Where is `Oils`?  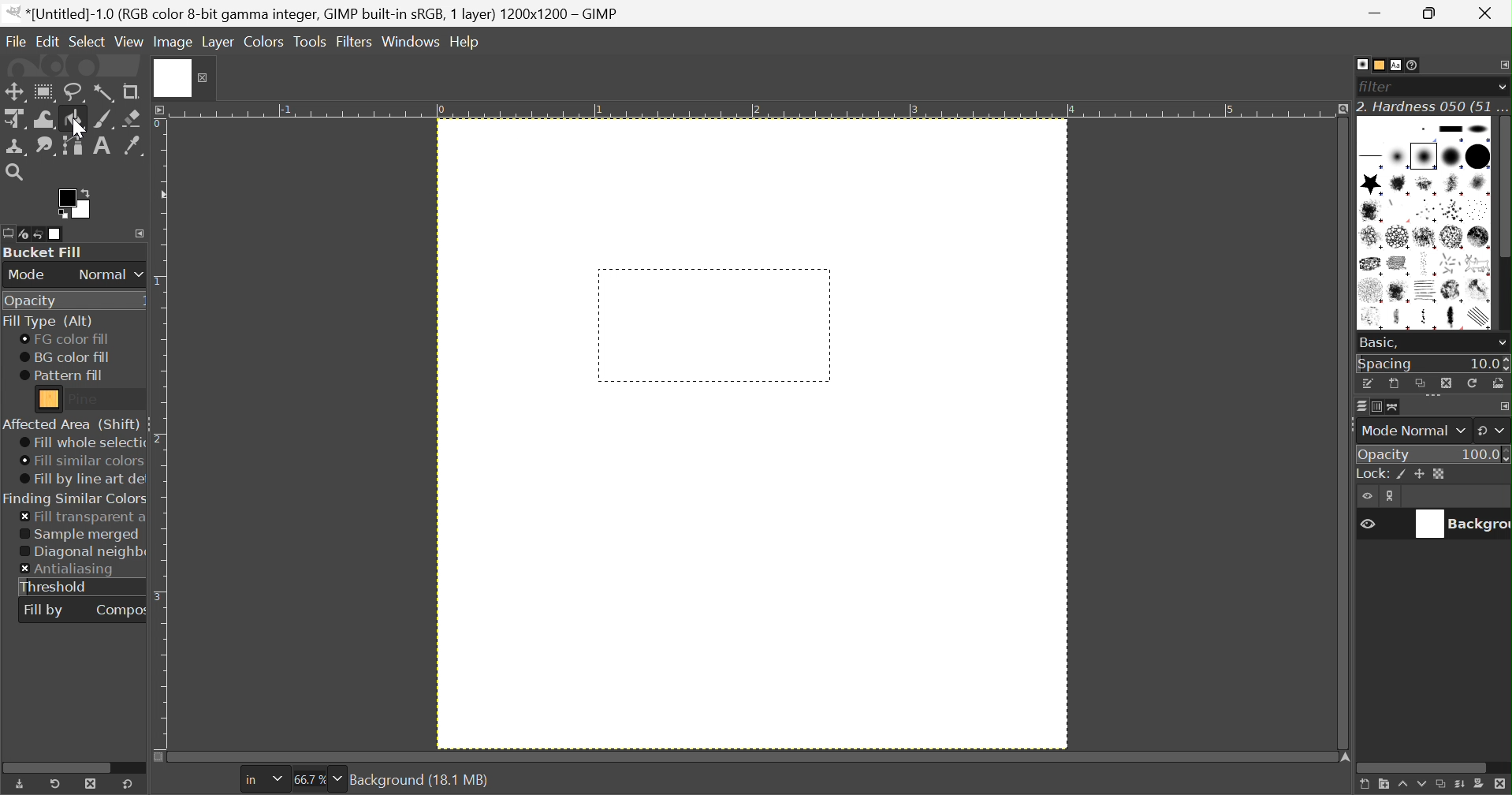 Oils is located at coordinates (1372, 318).